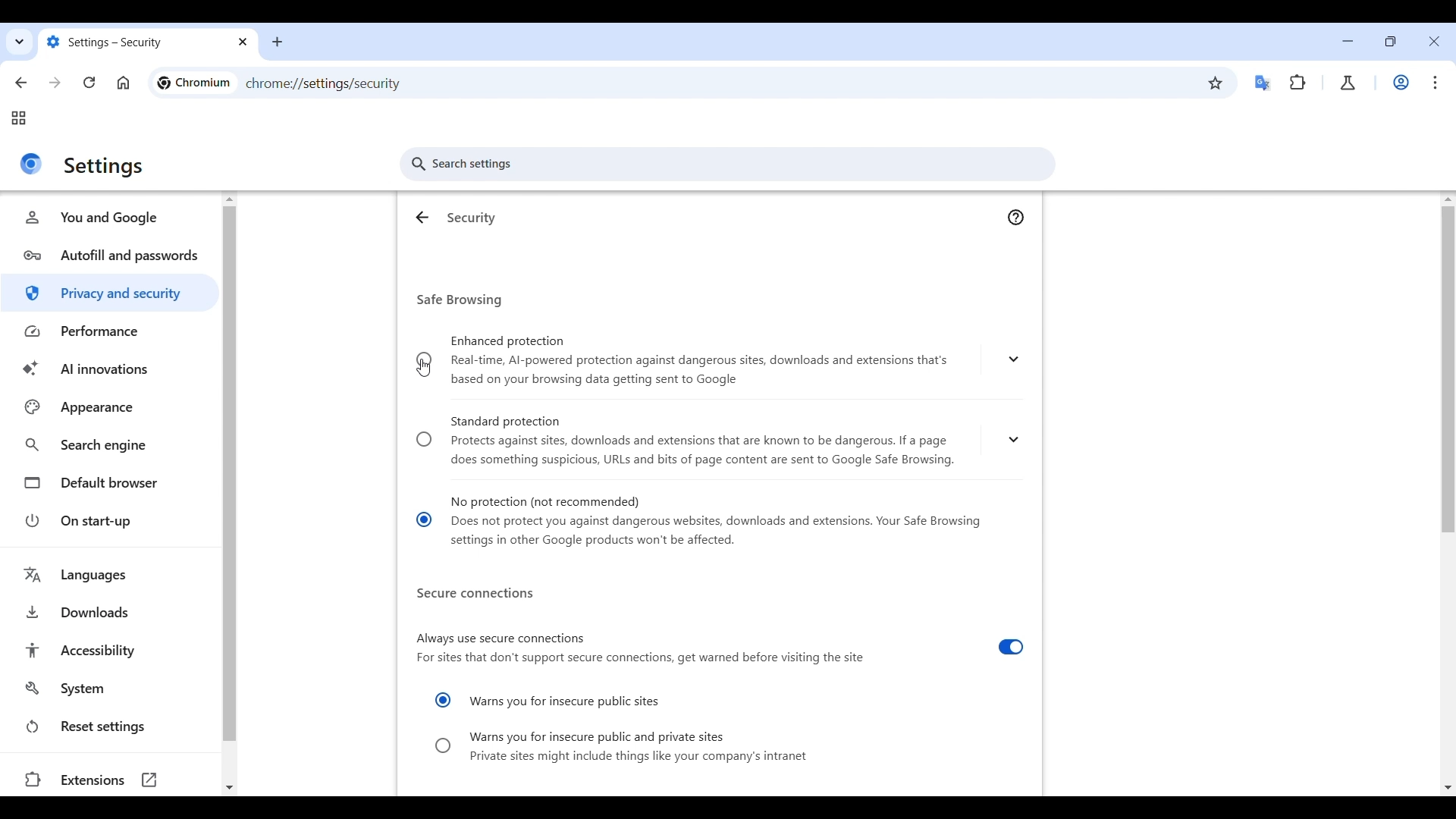  I want to click on Downloads, so click(112, 613).